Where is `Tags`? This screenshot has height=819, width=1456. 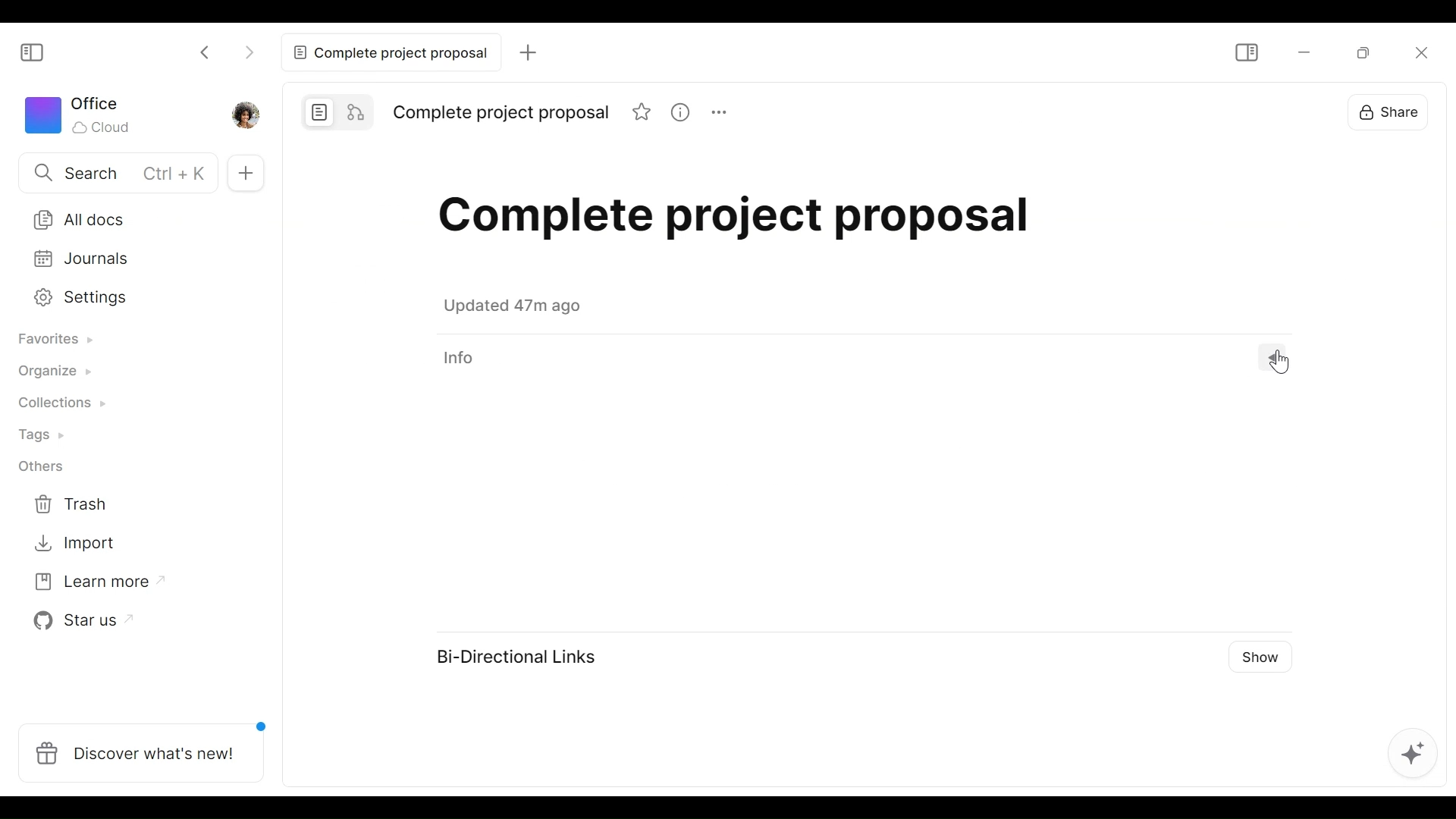
Tags is located at coordinates (47, 435).